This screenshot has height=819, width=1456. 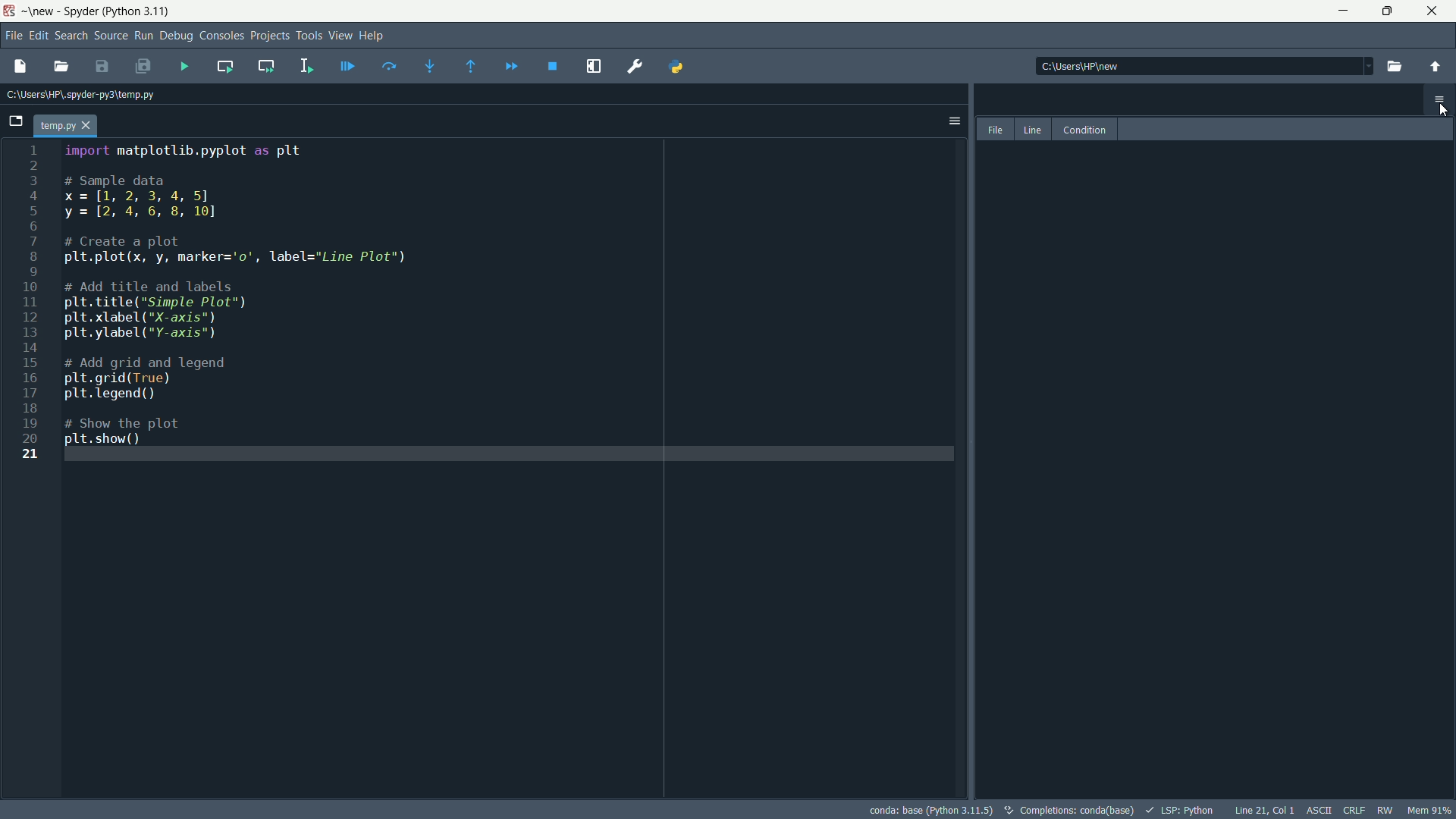 What do you see at coordinates (1388, 810) in the screenshot?
I see `RW` at bounding box center [1388, 810].